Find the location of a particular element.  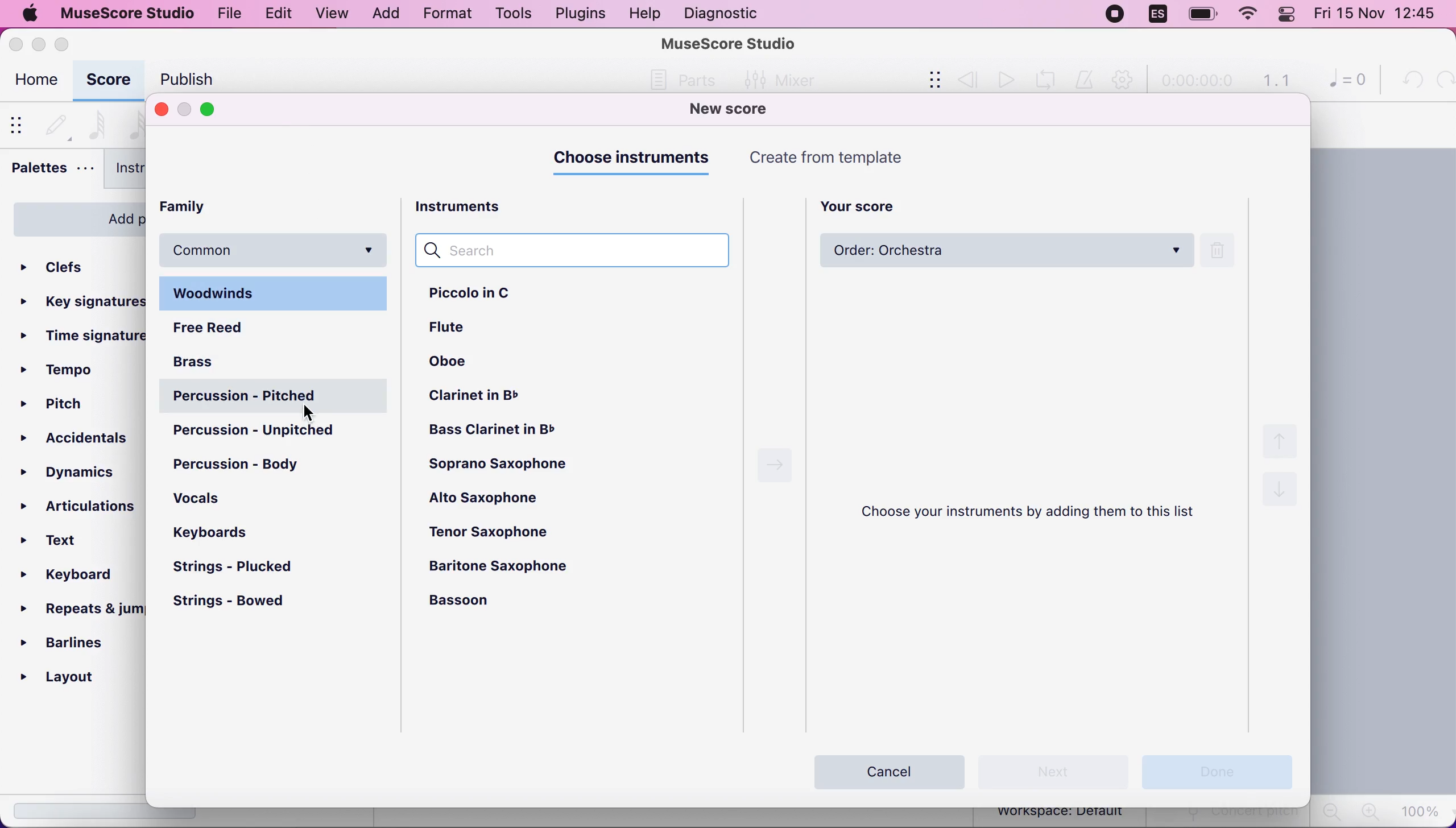

wifi is located at coordinates (1247, 16).